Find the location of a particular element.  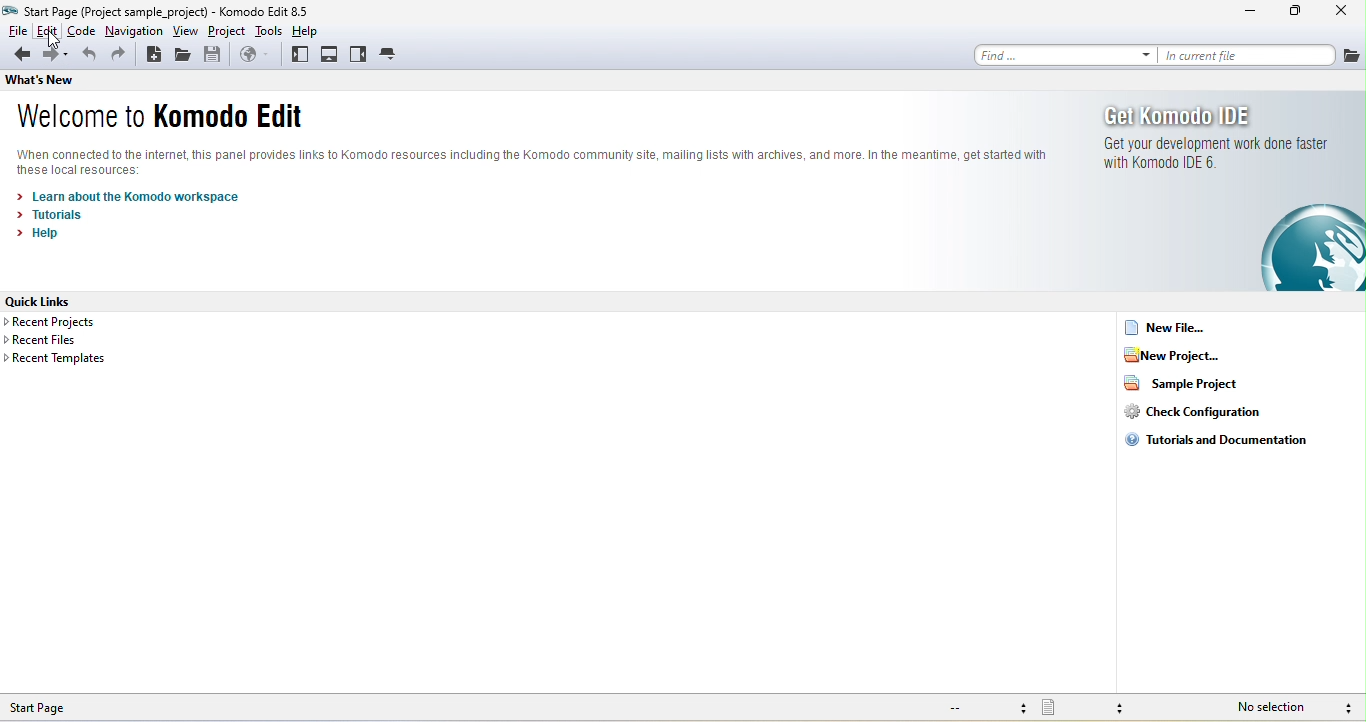

file type is located at coordinates (1092, 707).